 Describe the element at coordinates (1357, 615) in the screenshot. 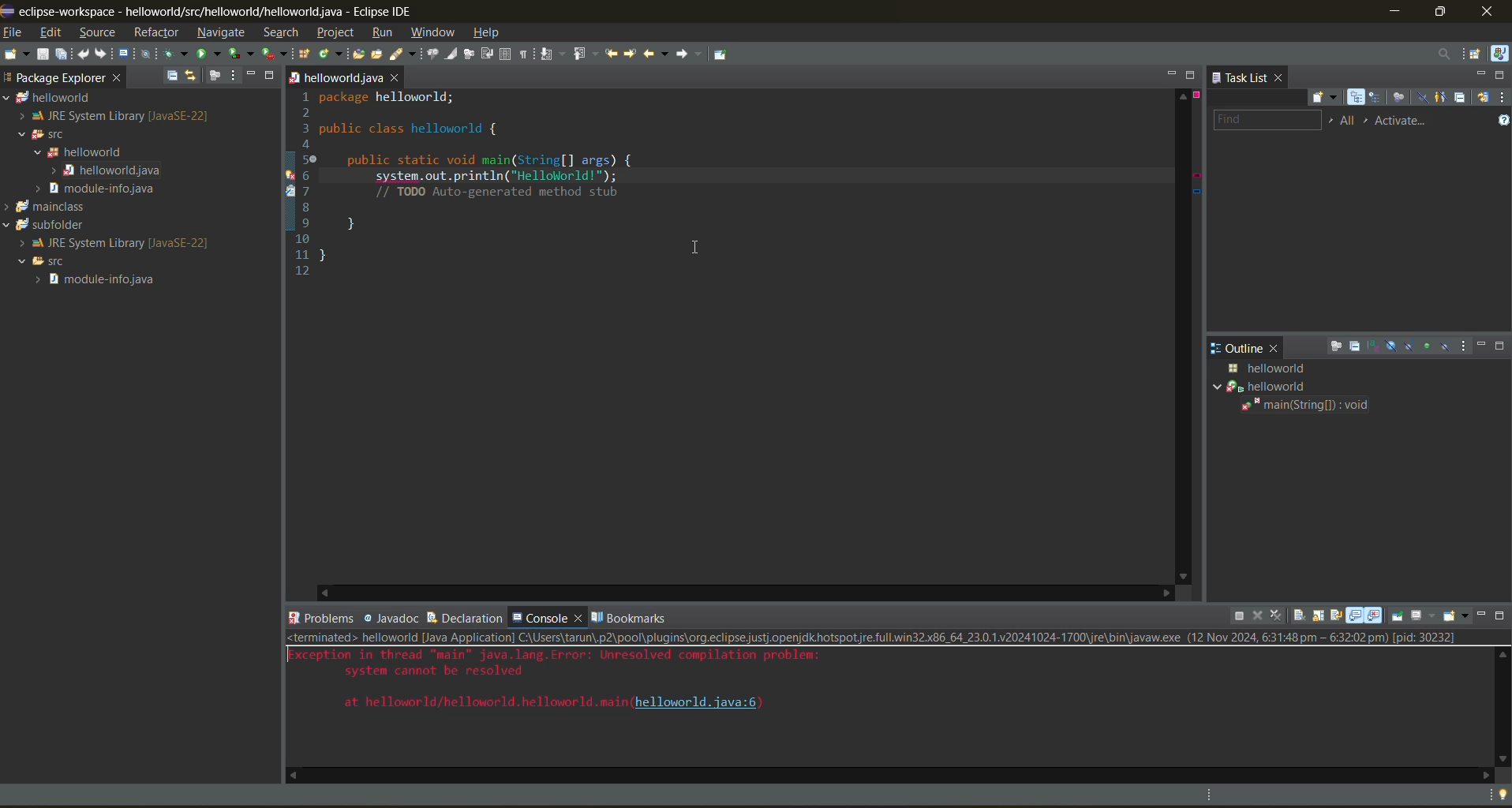

I see `show console standard out changes` at that location.